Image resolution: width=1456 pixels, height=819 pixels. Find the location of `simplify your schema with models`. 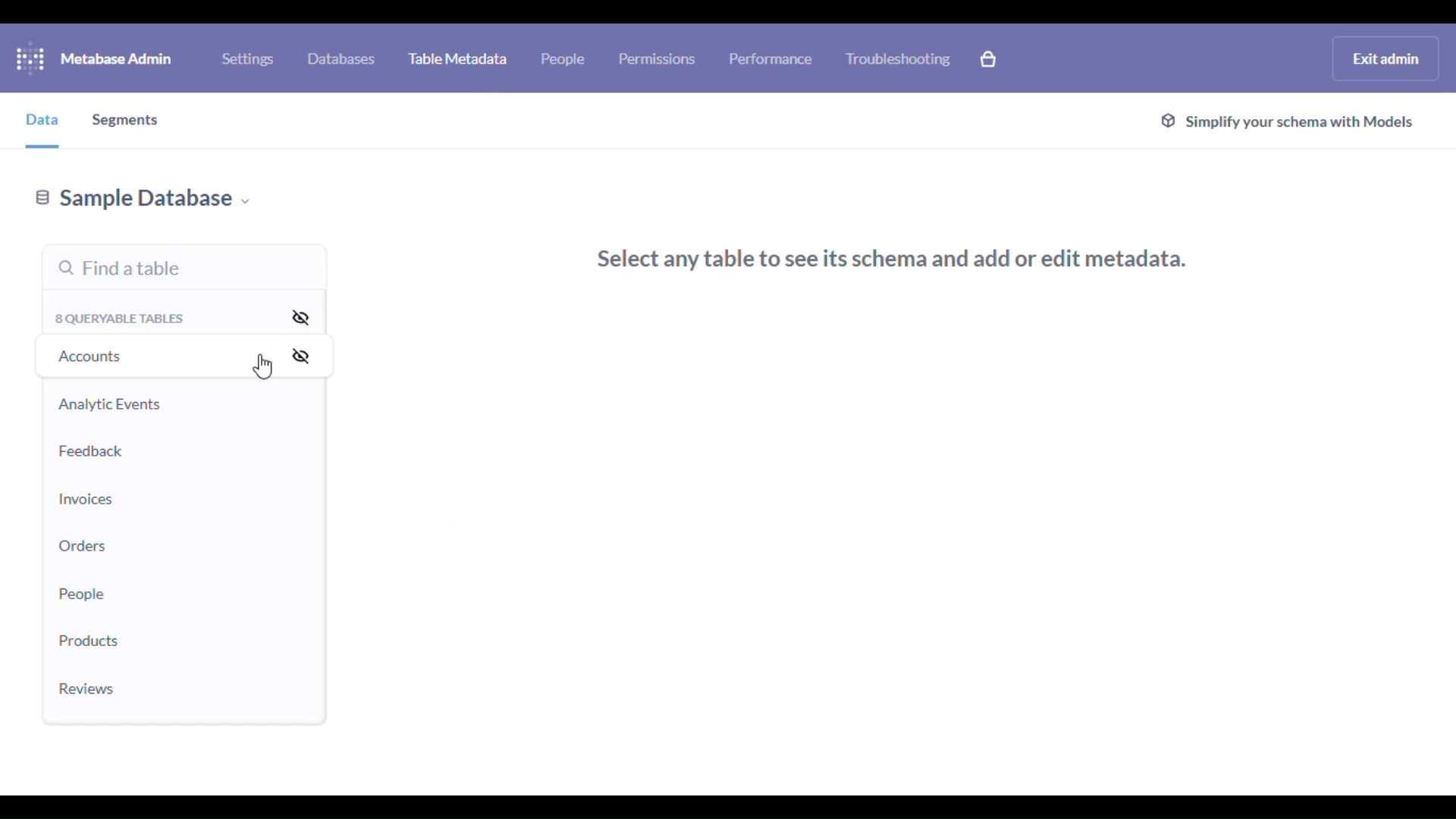

simplify your schema with models is located at coordinates (1286, 123).